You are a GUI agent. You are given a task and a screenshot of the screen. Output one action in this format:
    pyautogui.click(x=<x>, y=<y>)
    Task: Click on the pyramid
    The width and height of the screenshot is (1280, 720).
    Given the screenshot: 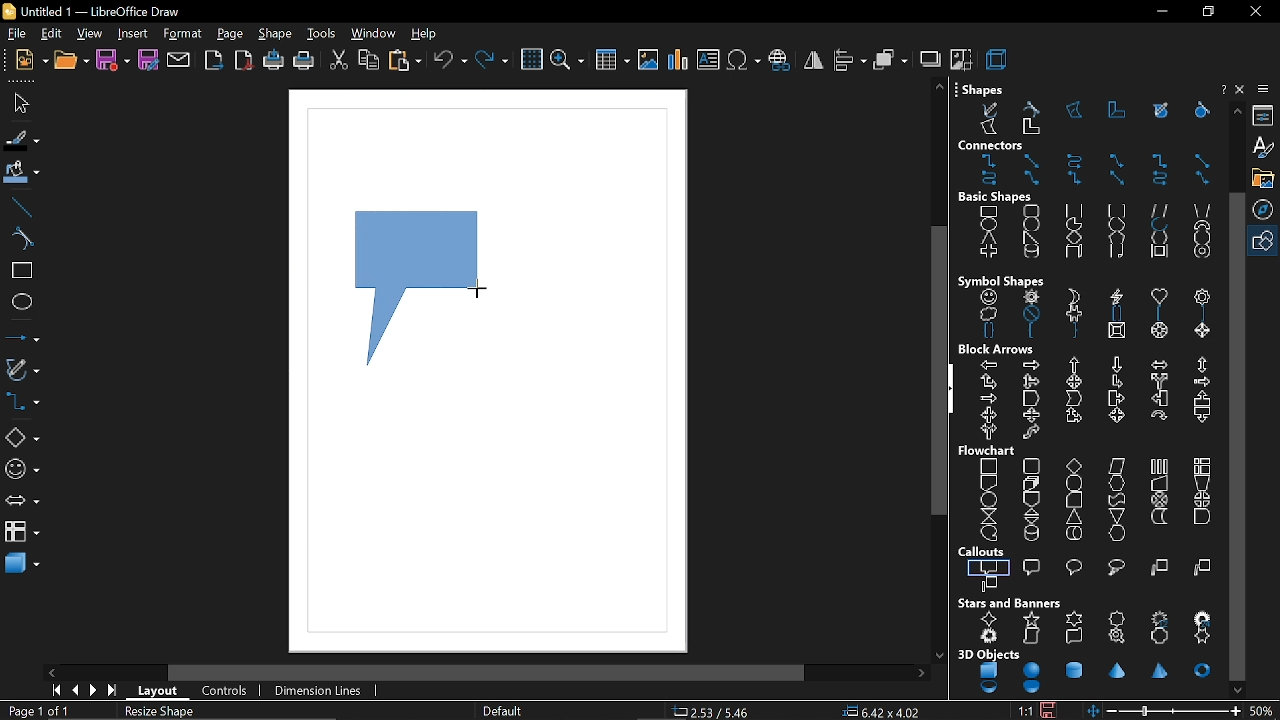 What is the action you would take?
    pyautogui.click(x=1162, y=672)
    